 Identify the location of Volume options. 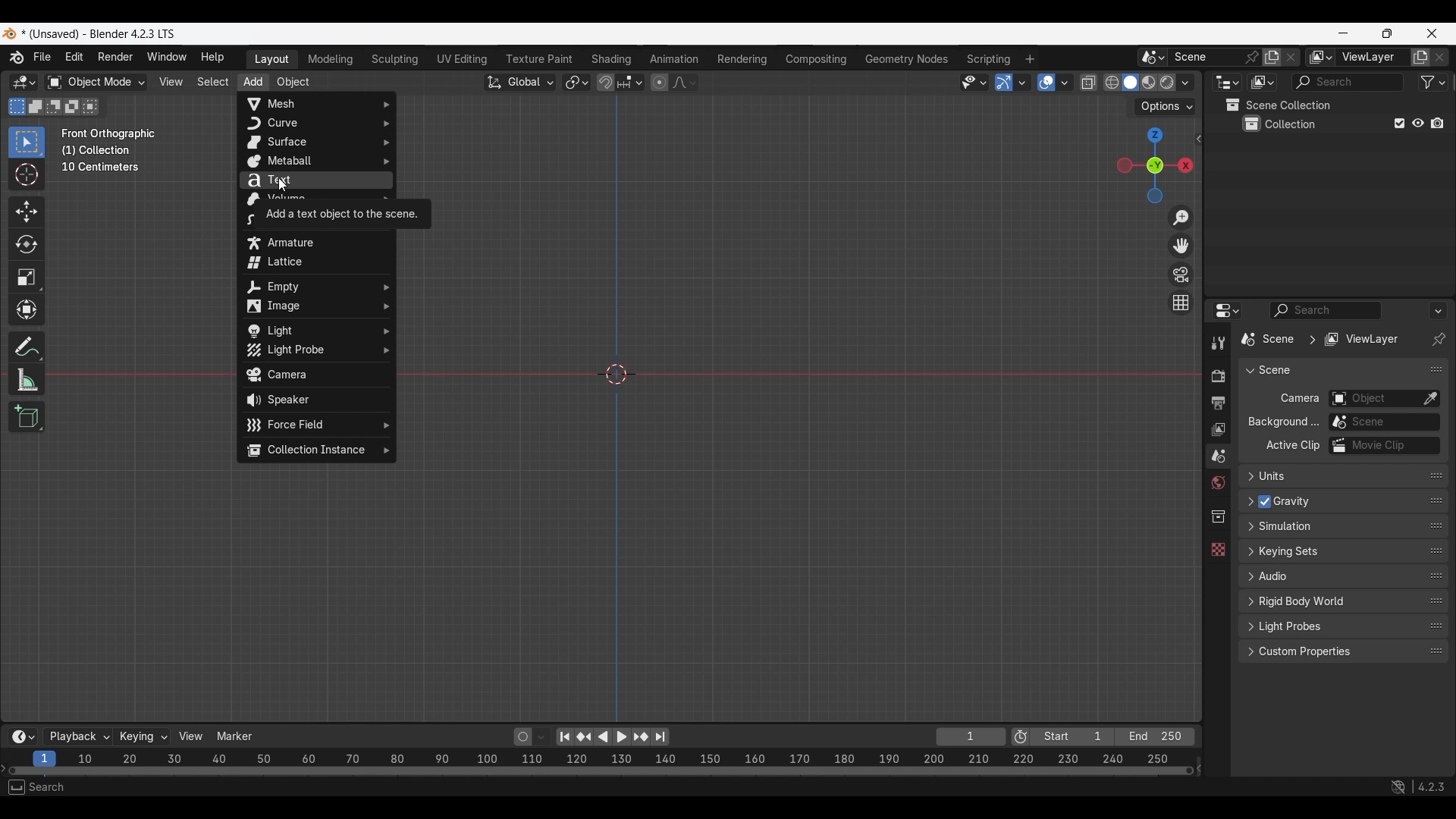
(316, 196).